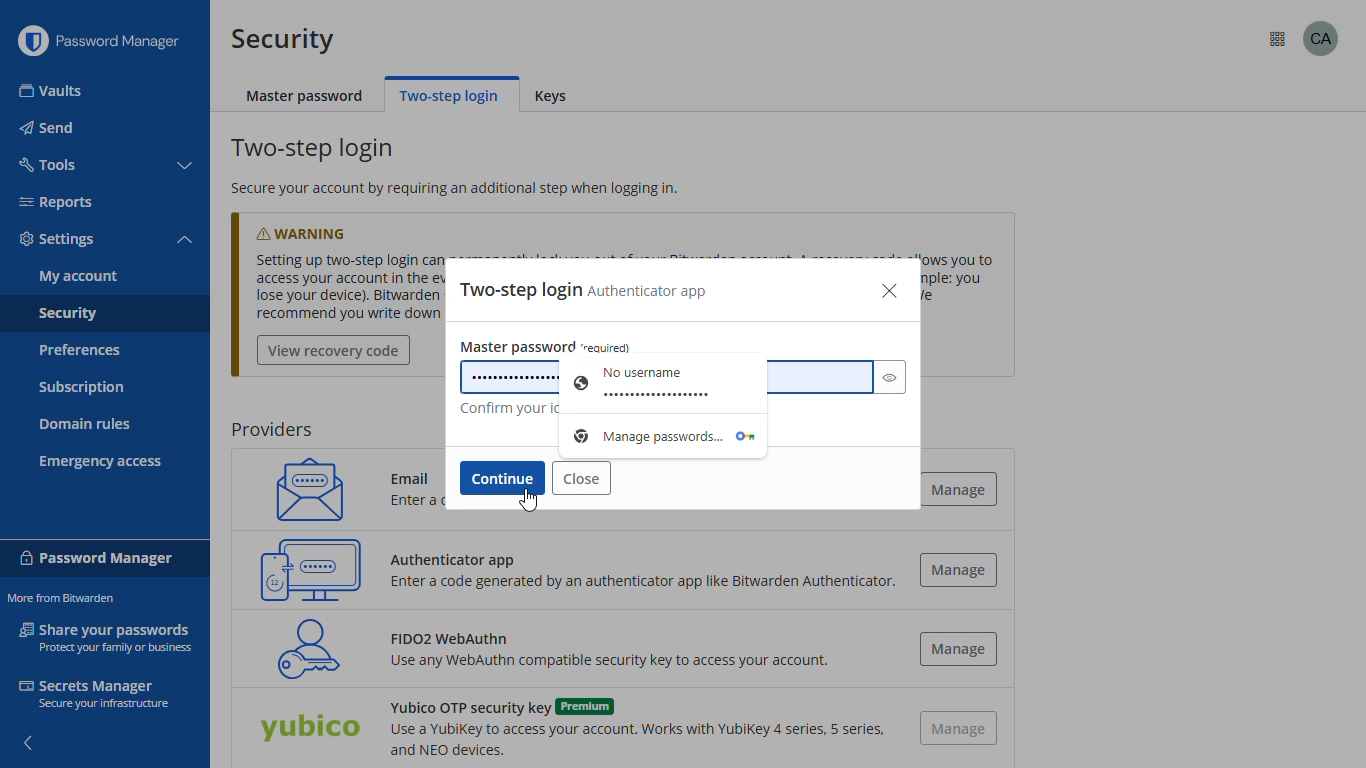 This screenshot has width=1366, height=768. What do you see at coordinates (417, 474) in the screenshot?
I see `Email` at bounding box center [417, 474].